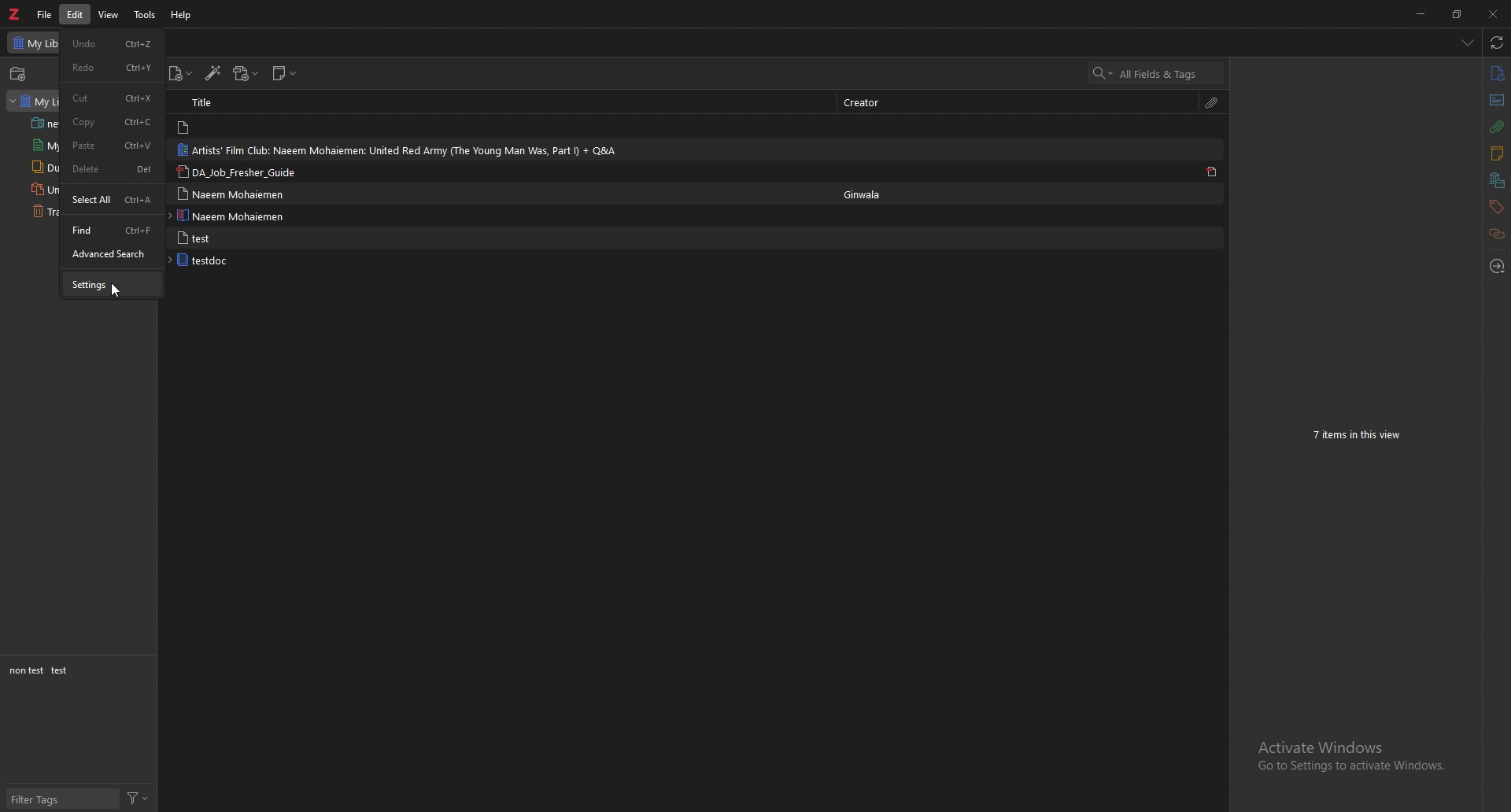 This screenshot has height=812, width=1511. What do you see at coordinates (1157, 73) in the screenshot?
I see `search all fields & Tags` at bounding box center [1157, 73].